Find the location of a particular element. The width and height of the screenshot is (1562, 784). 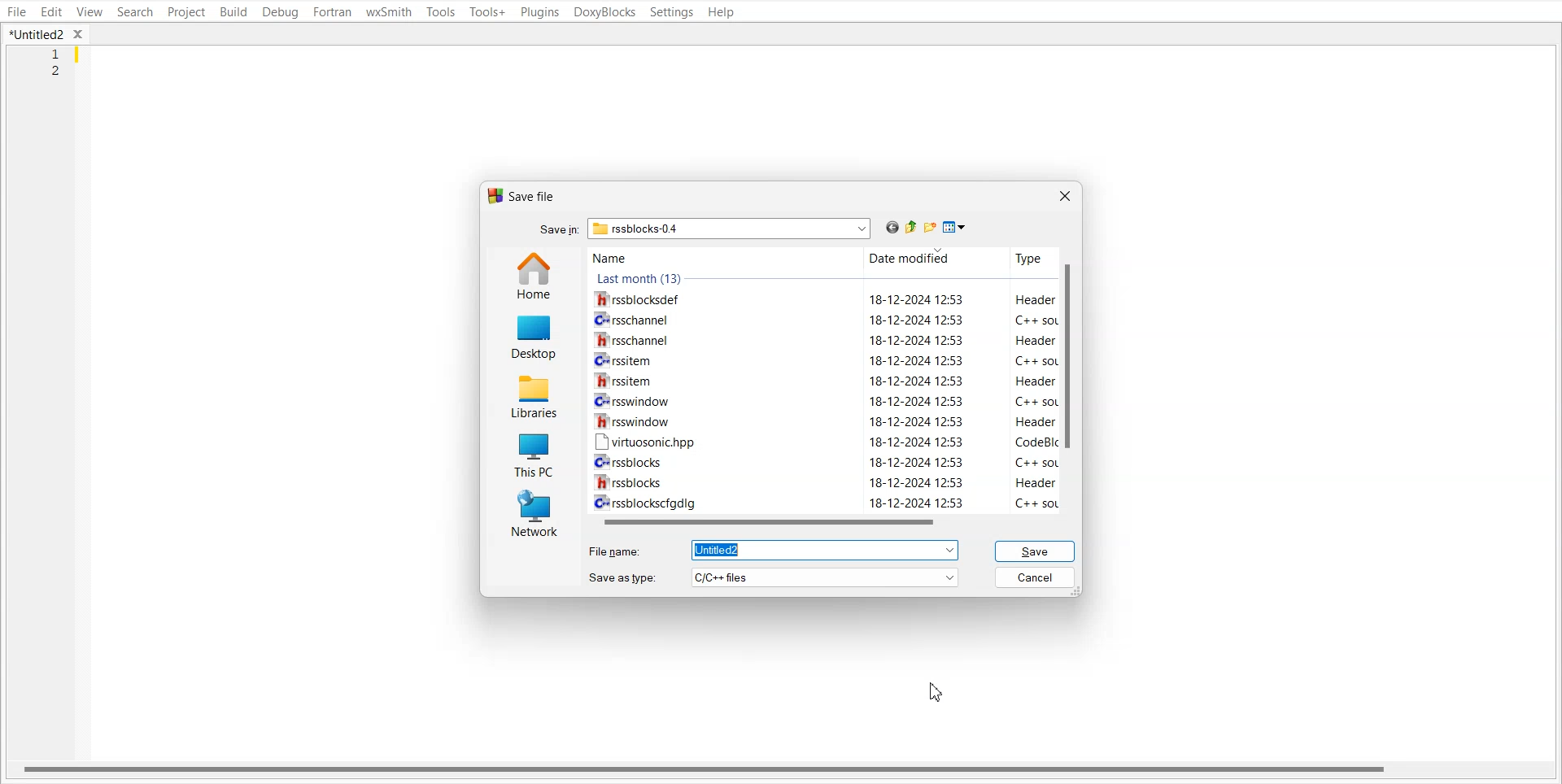

Desktop is located at coordinates (535, 335).